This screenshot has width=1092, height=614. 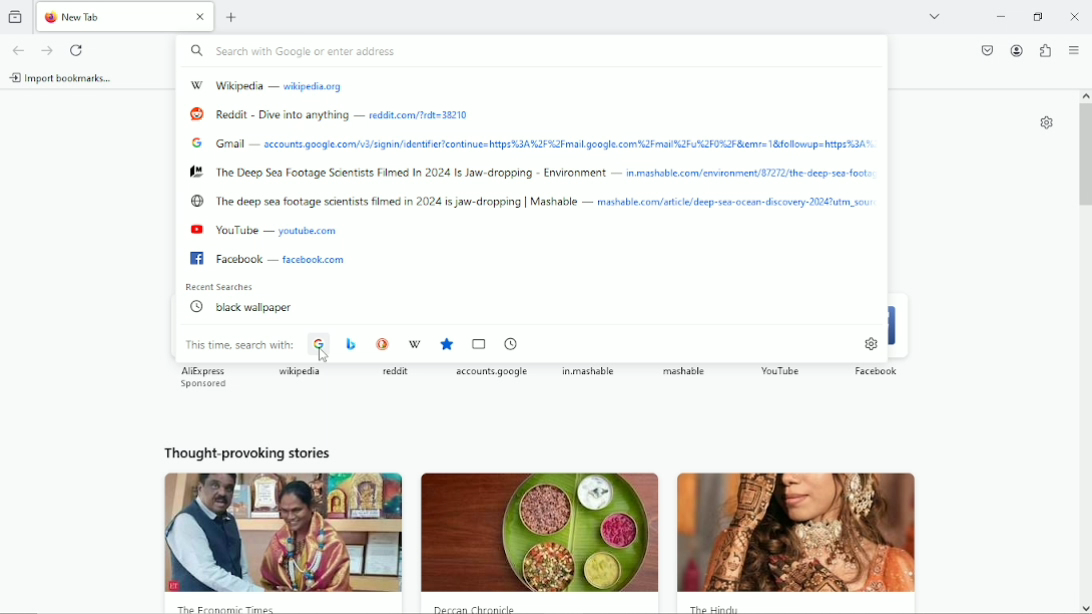 What do you see at coordinates (313, 87) in the screenshot?
I see `wikipeedia.org` at bounding box center [313, 87].